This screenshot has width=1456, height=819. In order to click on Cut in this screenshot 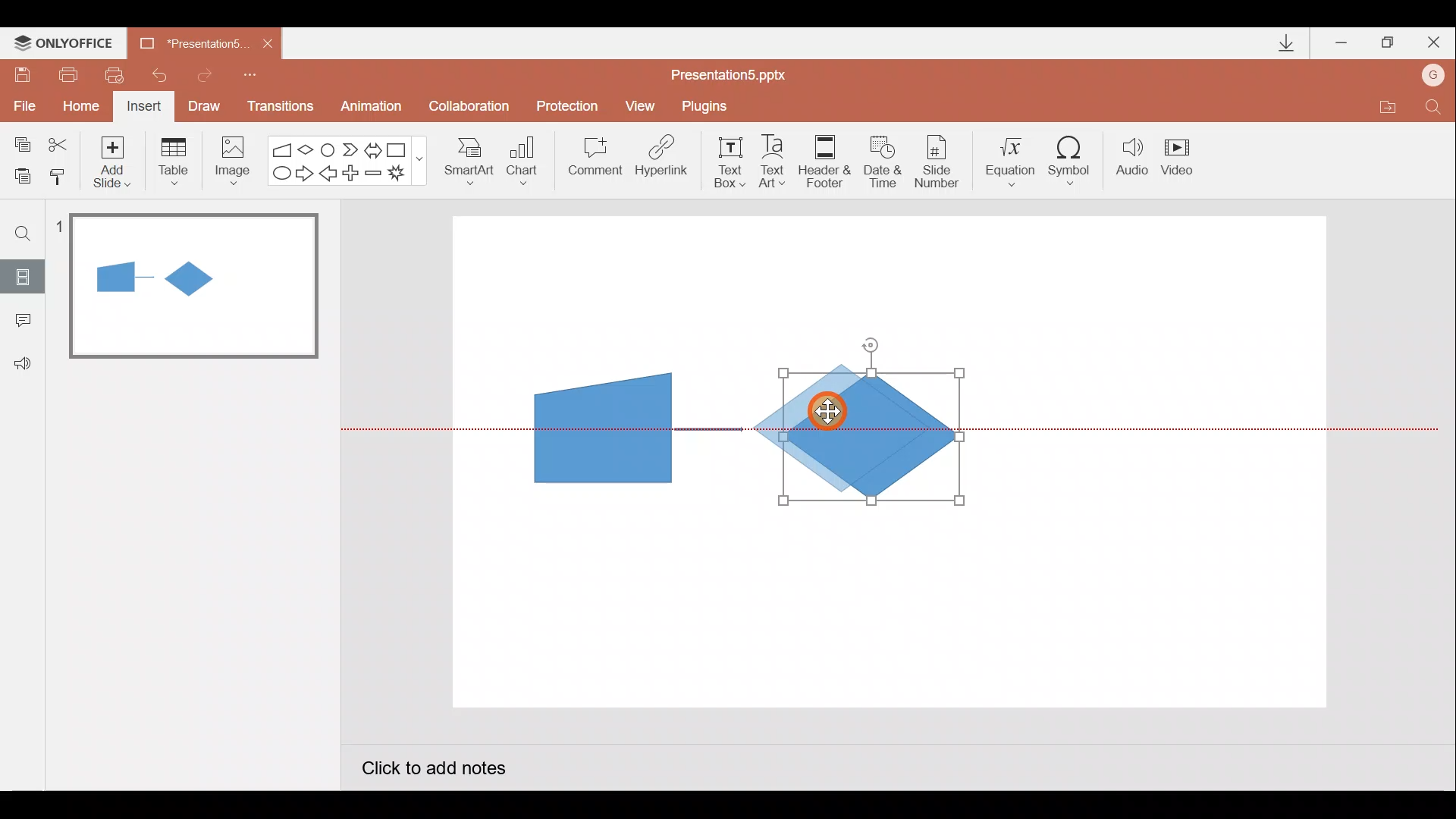, I will do `click(61, 142)`.